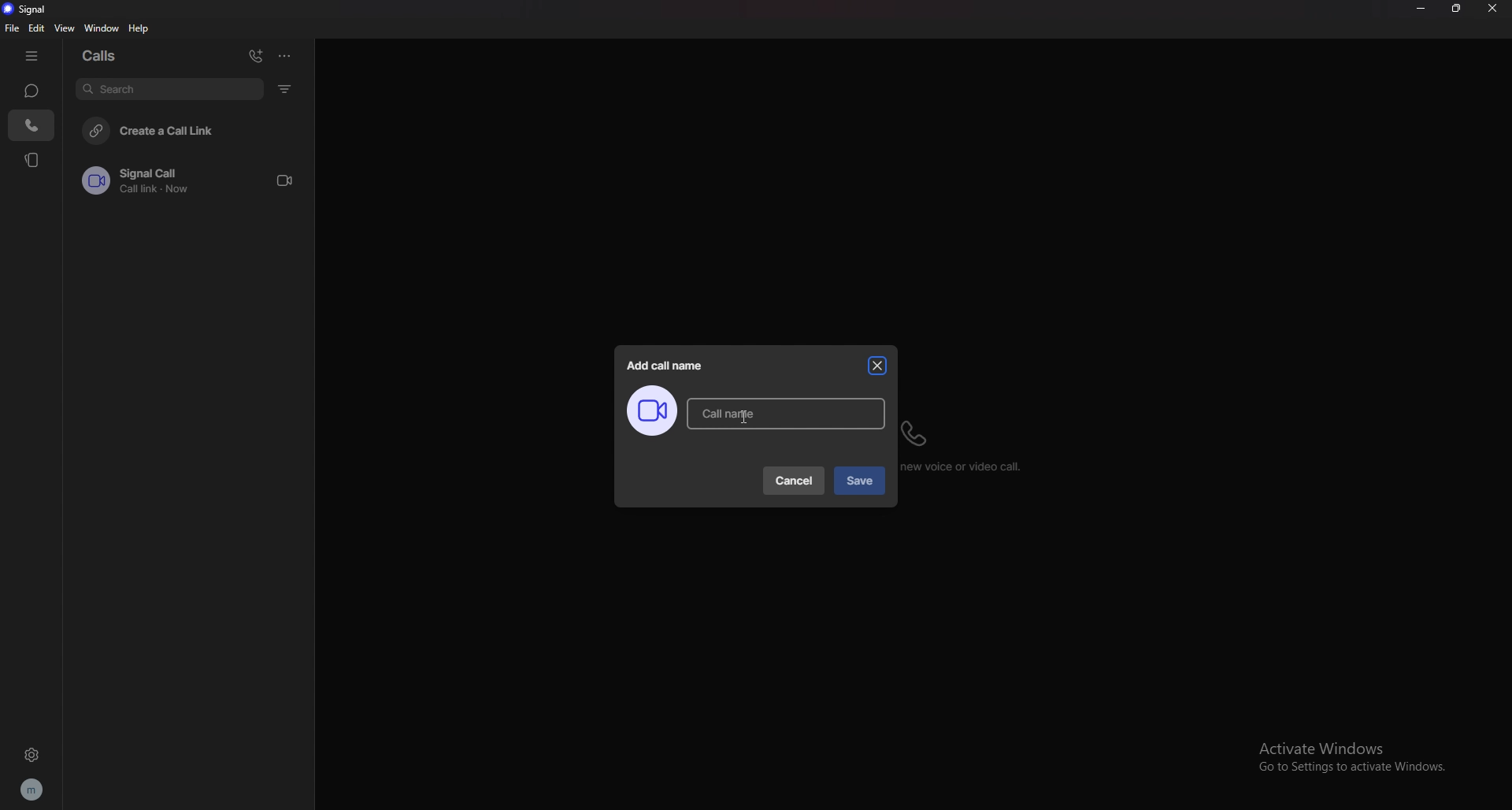 This screenshot has height=810, width=1512. I want to click on hide tab, so click(31, 57).